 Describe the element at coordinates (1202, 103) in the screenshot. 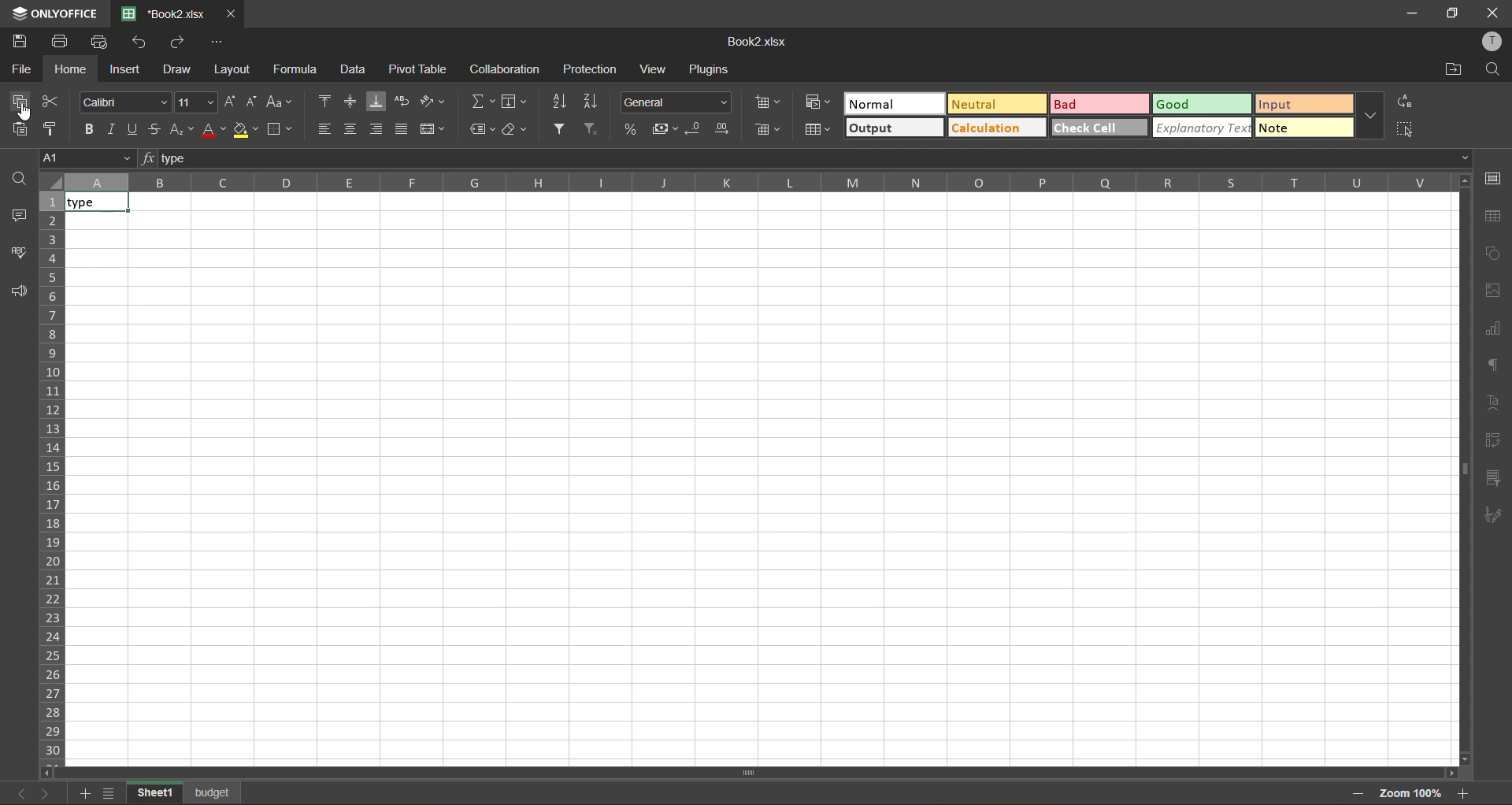

I see `good` at that location.